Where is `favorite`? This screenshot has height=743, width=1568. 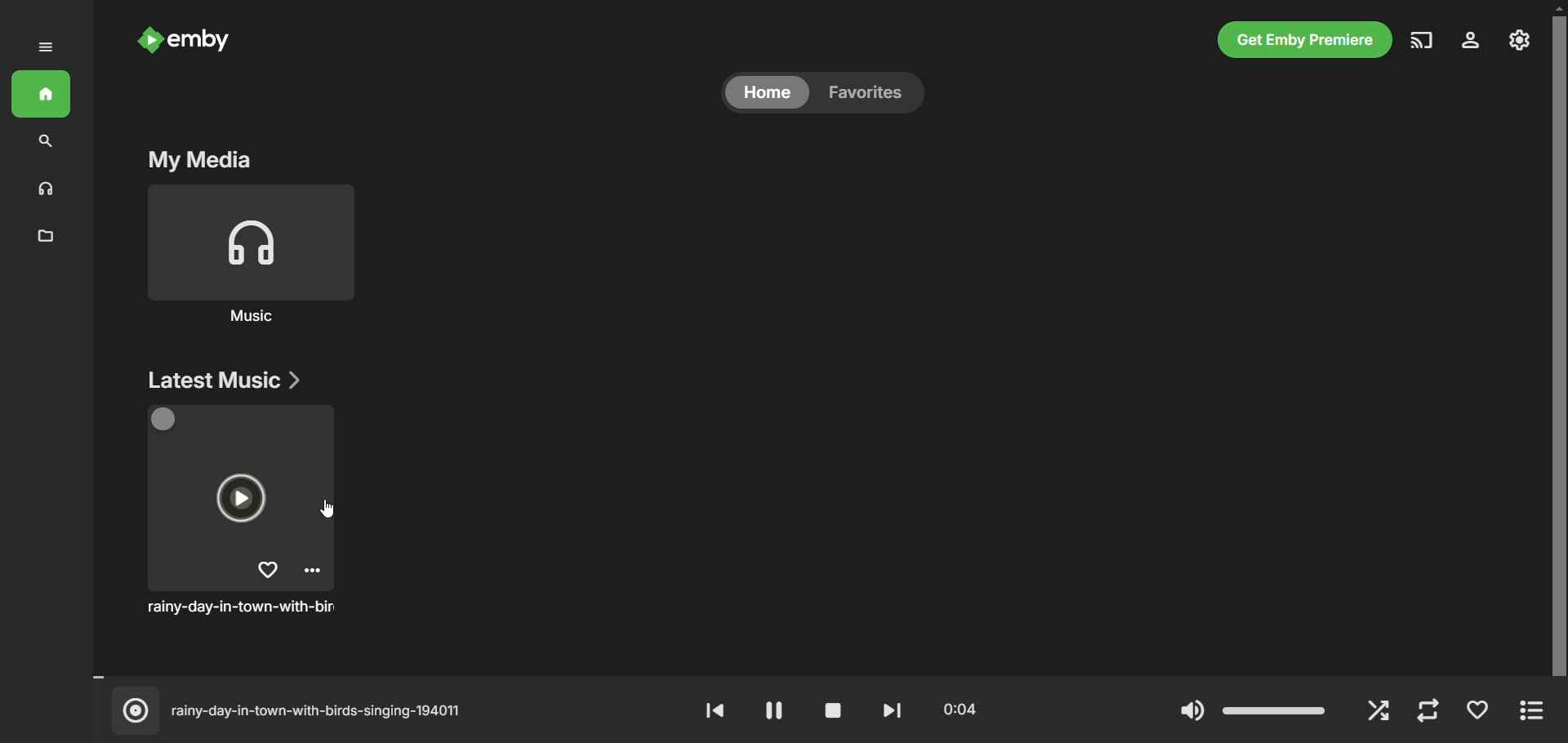 favorite is located at coordinates (1479, 713).